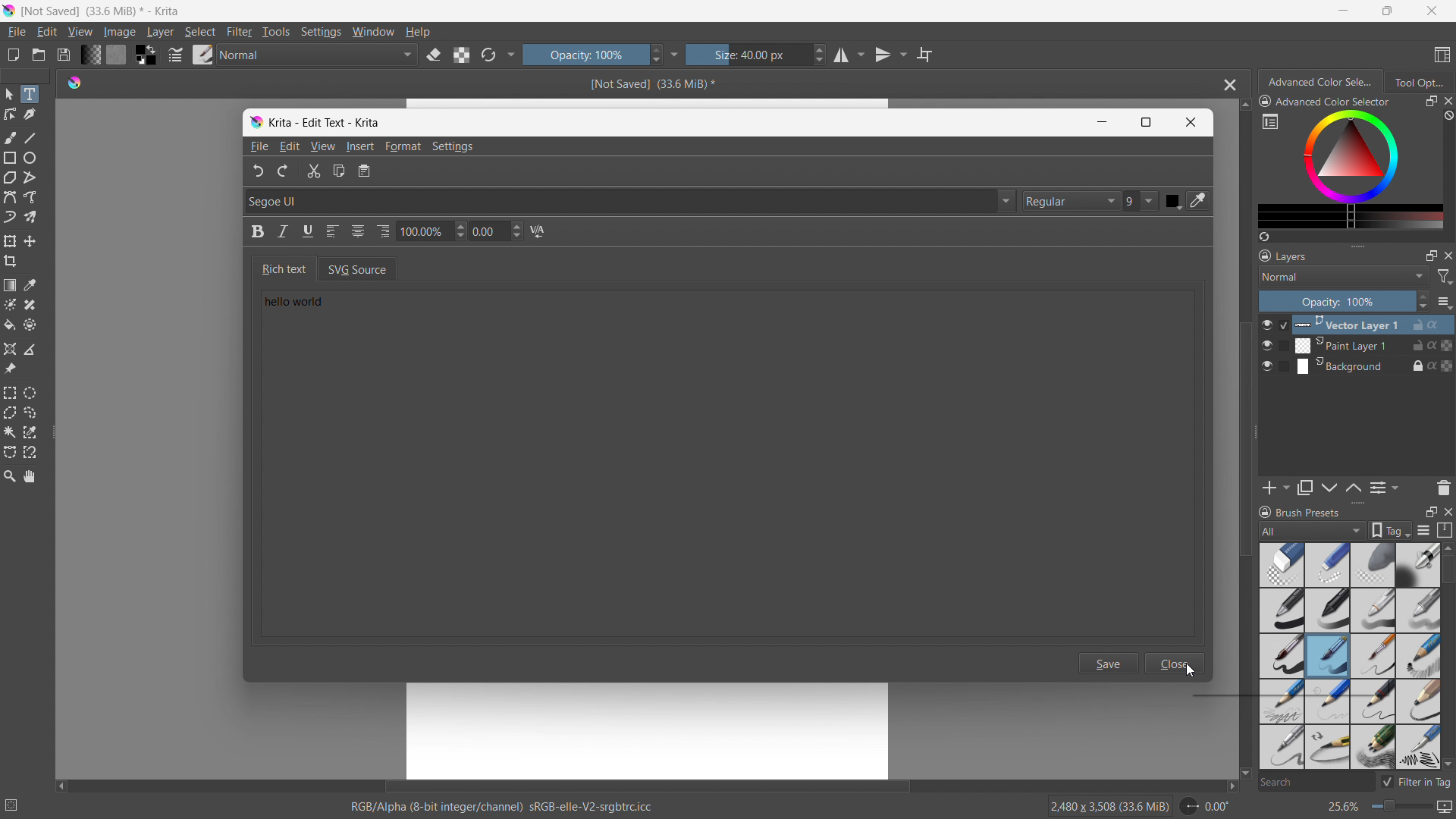  I want to click on sketch pencil, so click(1417, 657).